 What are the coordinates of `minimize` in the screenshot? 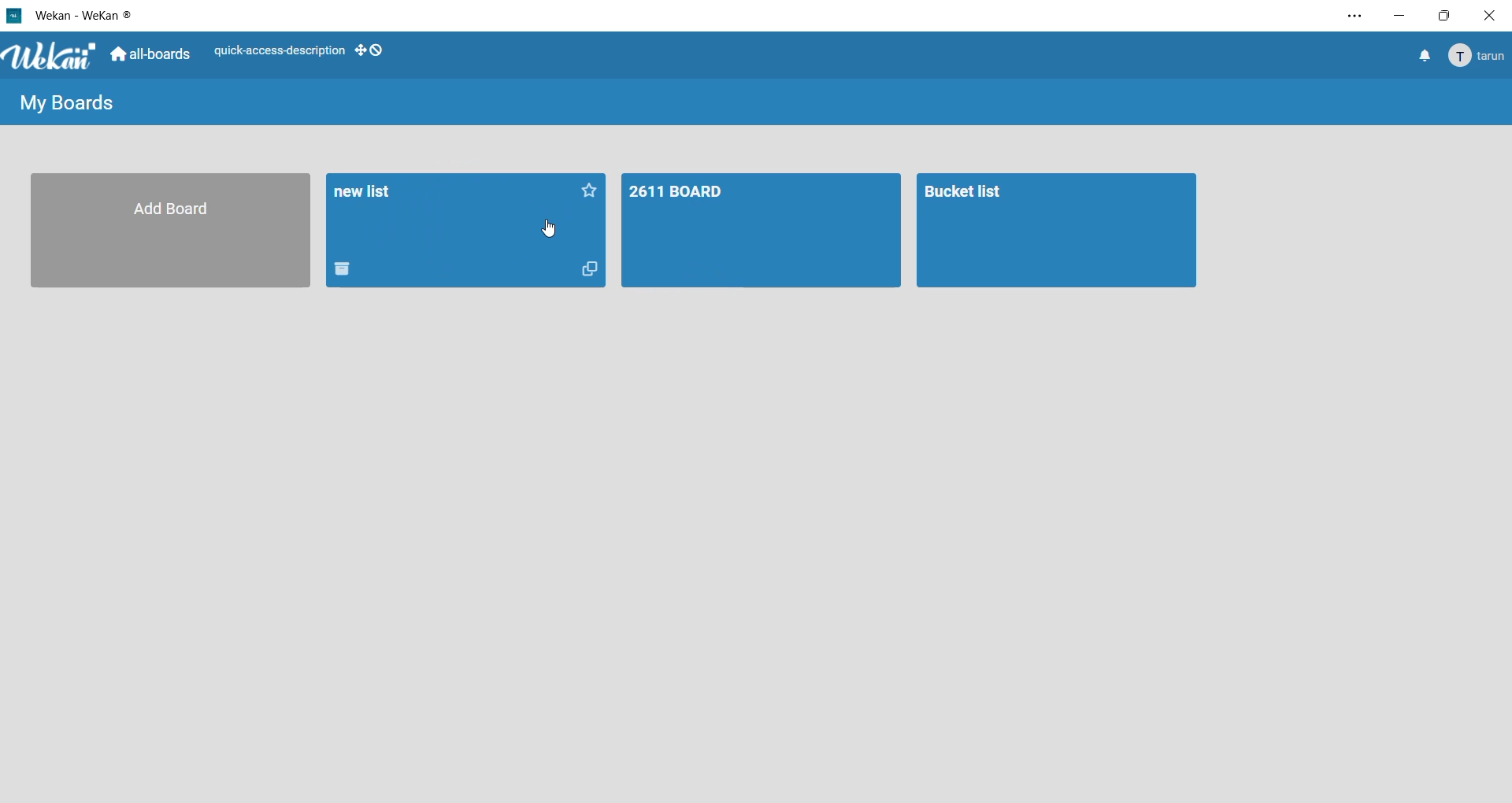 It's located at (1403, 16).